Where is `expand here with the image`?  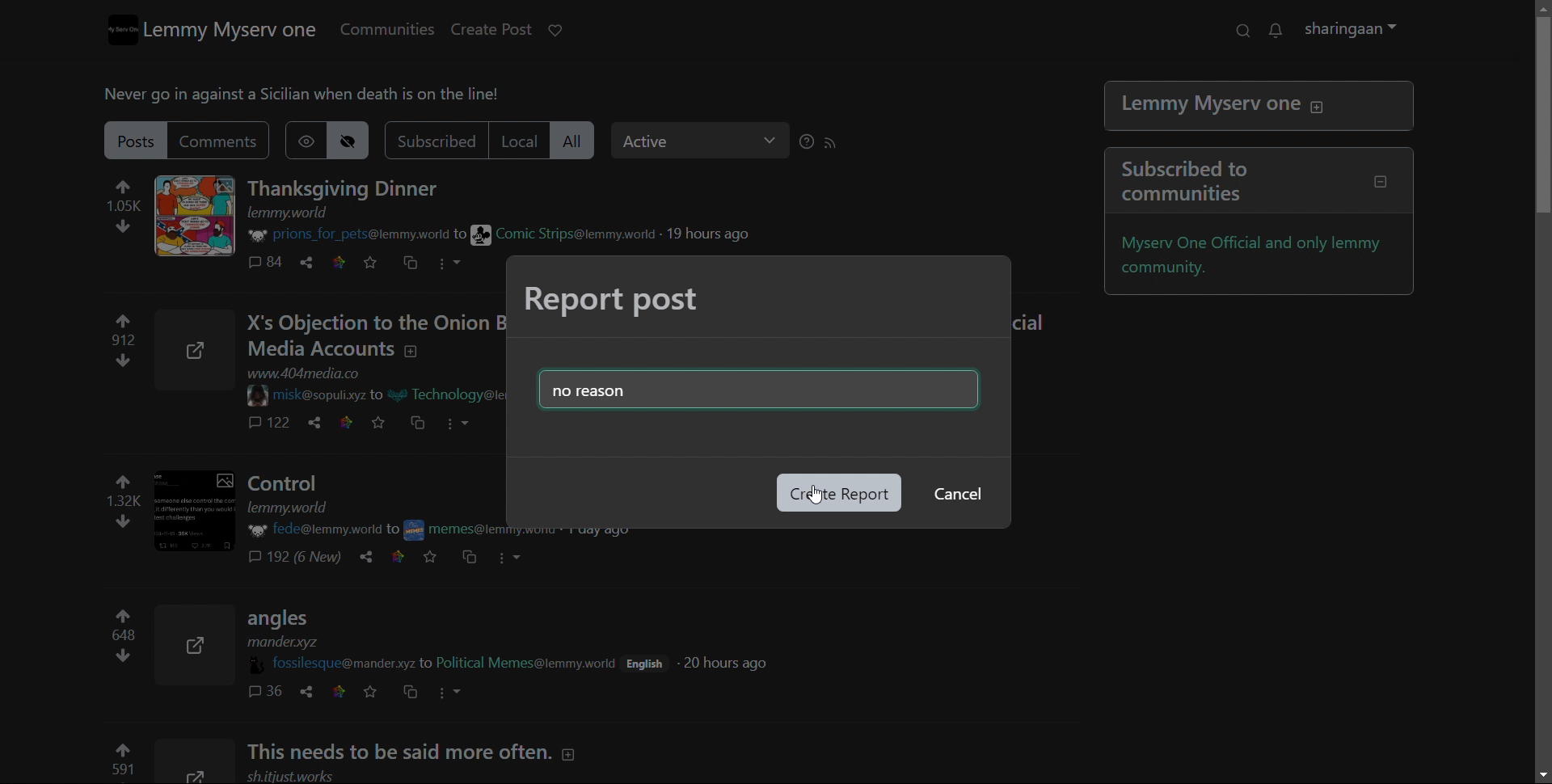
expand here with the image is located at coordinates (203, 216).